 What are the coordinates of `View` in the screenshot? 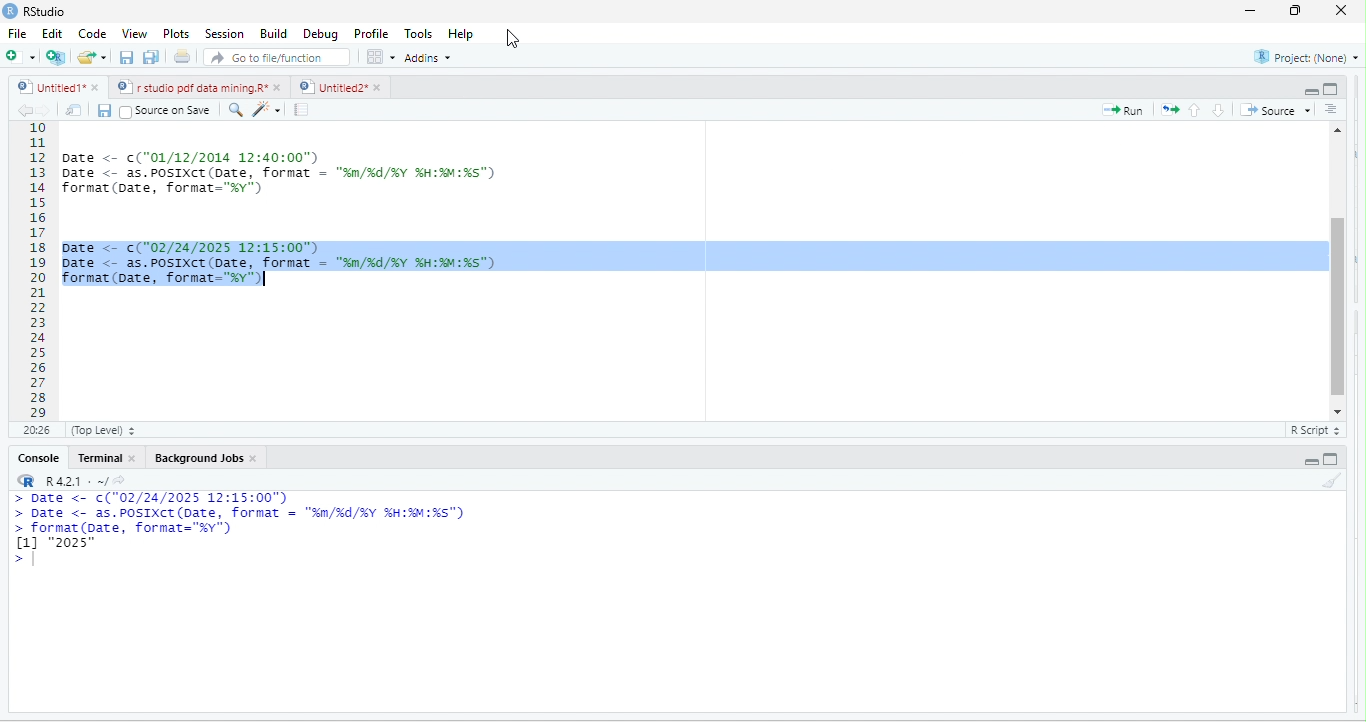 It's located at (134, 33).